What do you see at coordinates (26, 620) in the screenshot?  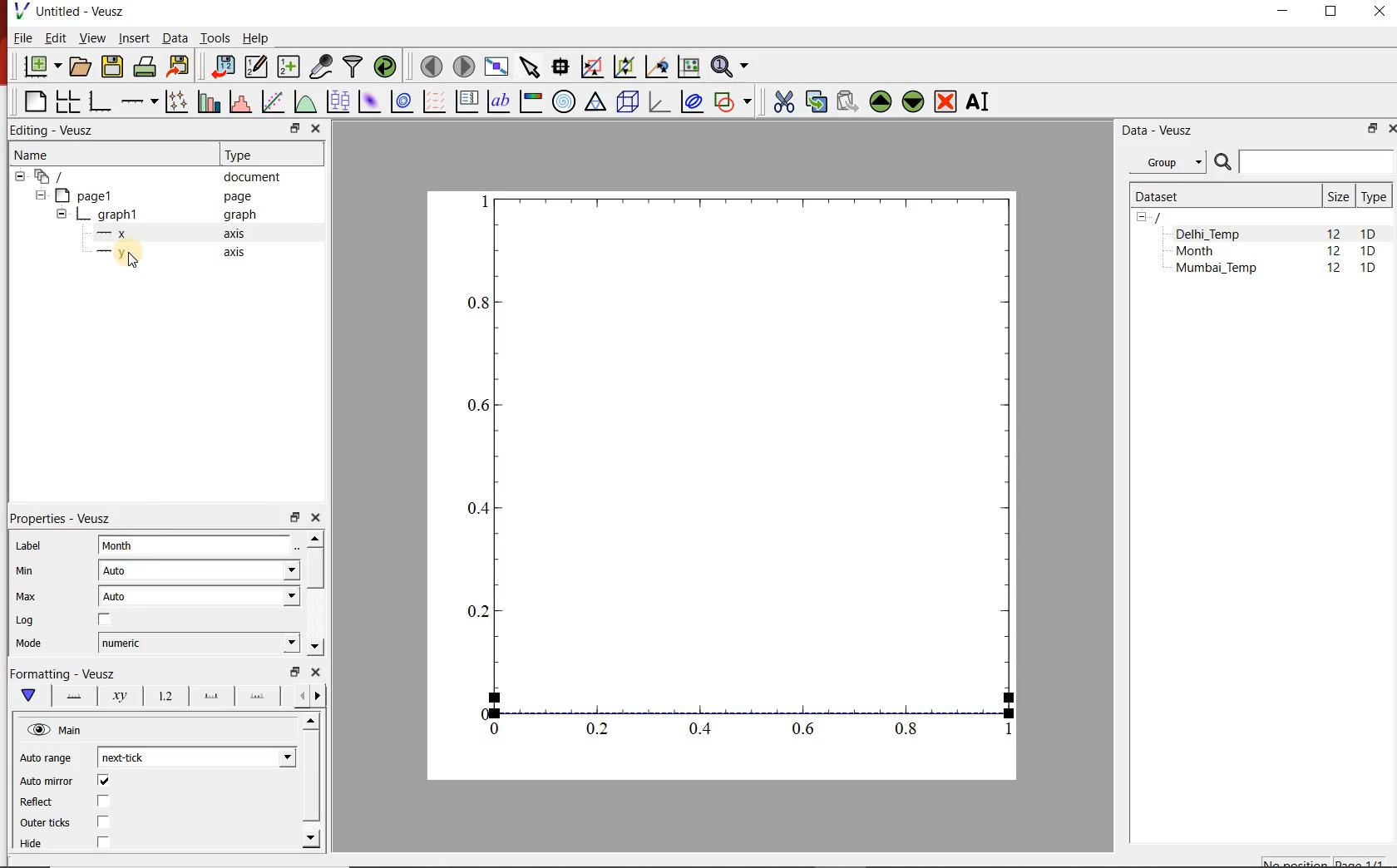 I see `Log` at bounding box center [26, 620].